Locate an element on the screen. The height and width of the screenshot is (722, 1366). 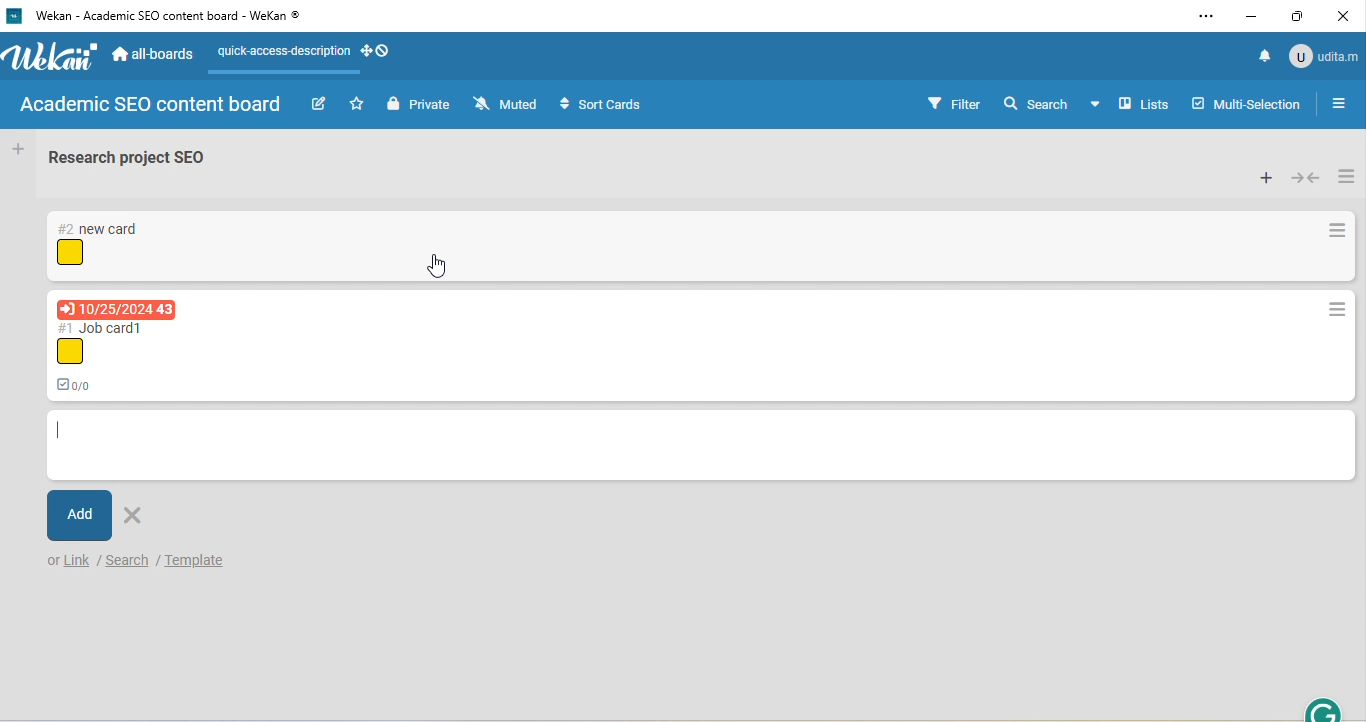
star this board is located at coordinates (357, 103).